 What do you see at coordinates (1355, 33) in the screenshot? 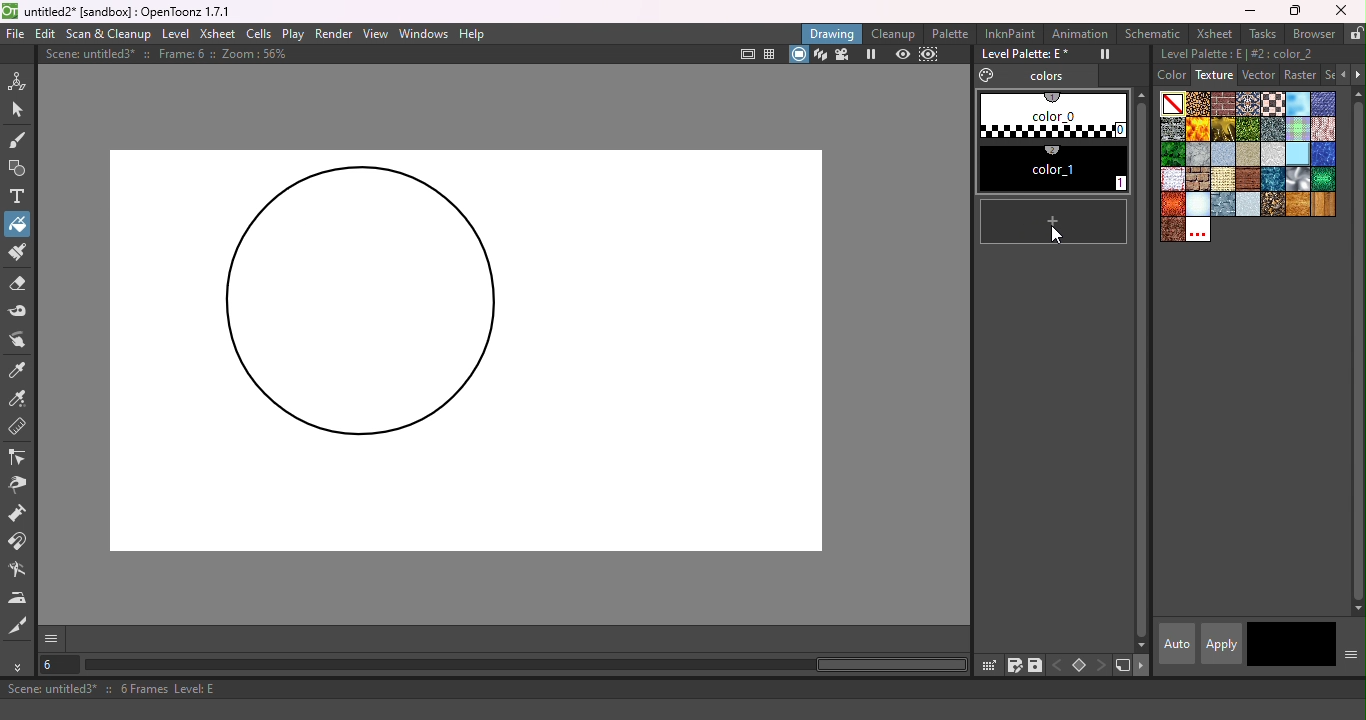
I see `Lock rooms tab` at bounding box center [1355, 33].